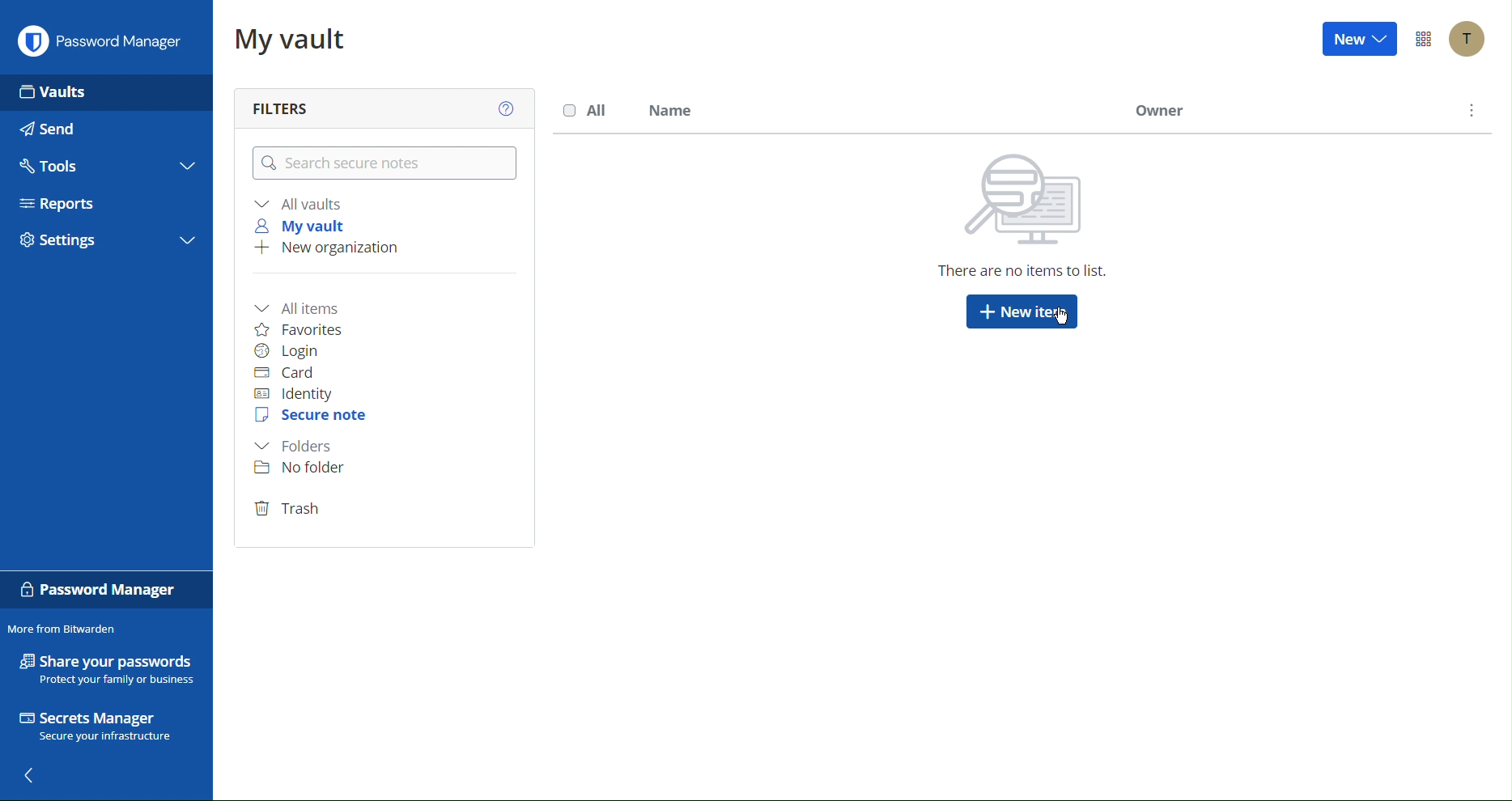  Describe the element at coordinates (63, 204) in the screenshot. I see `Reports` at that location.